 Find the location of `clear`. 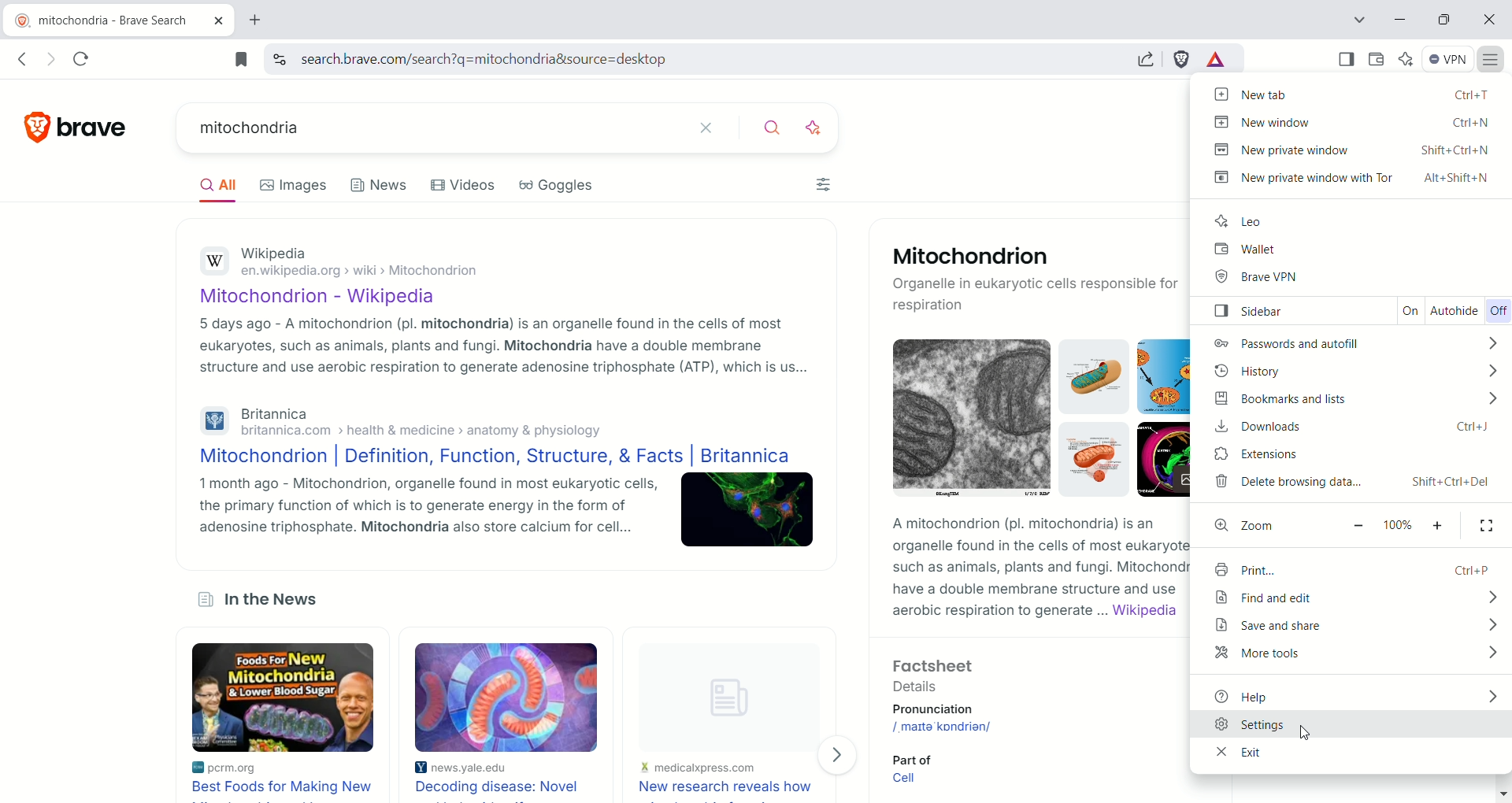

clear is located at coordinates (710, 128).